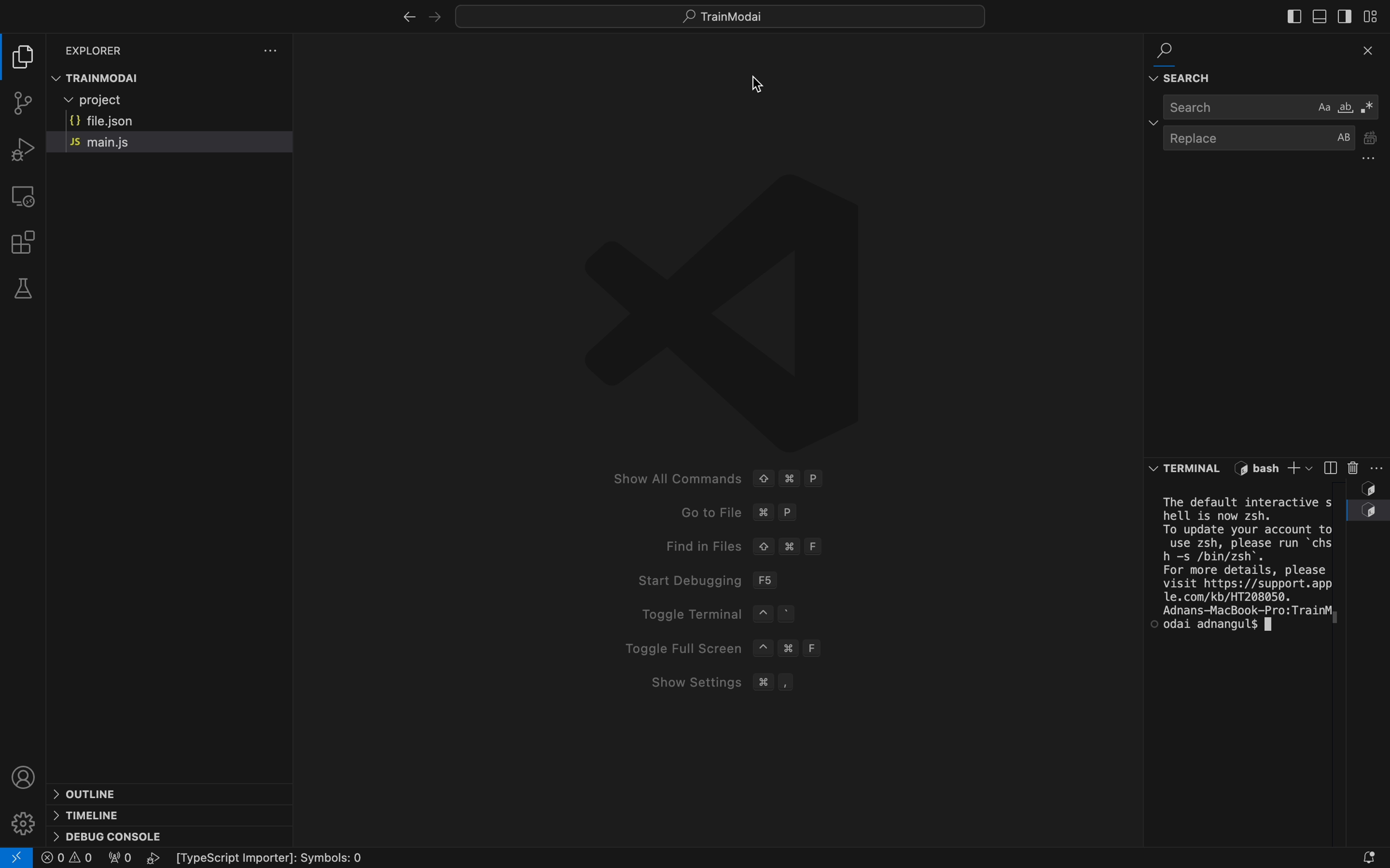 This screenshot has width=1390, height=868. Describe the element at coordinates (1260, 144) in the screenshot. I see `replace` at that location.